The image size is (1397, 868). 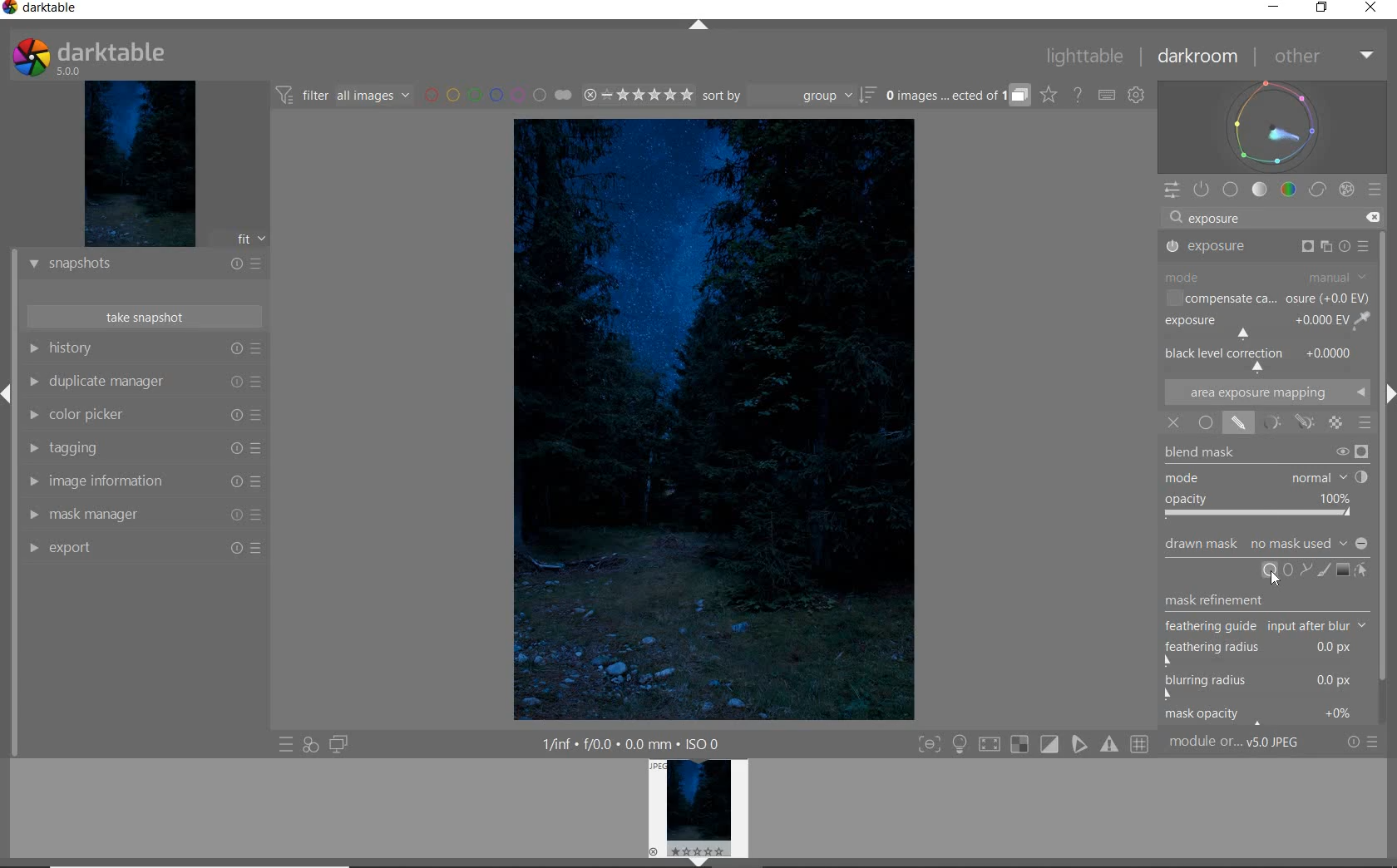 I want to click on mask opacity, so click(x=1264, y=717).